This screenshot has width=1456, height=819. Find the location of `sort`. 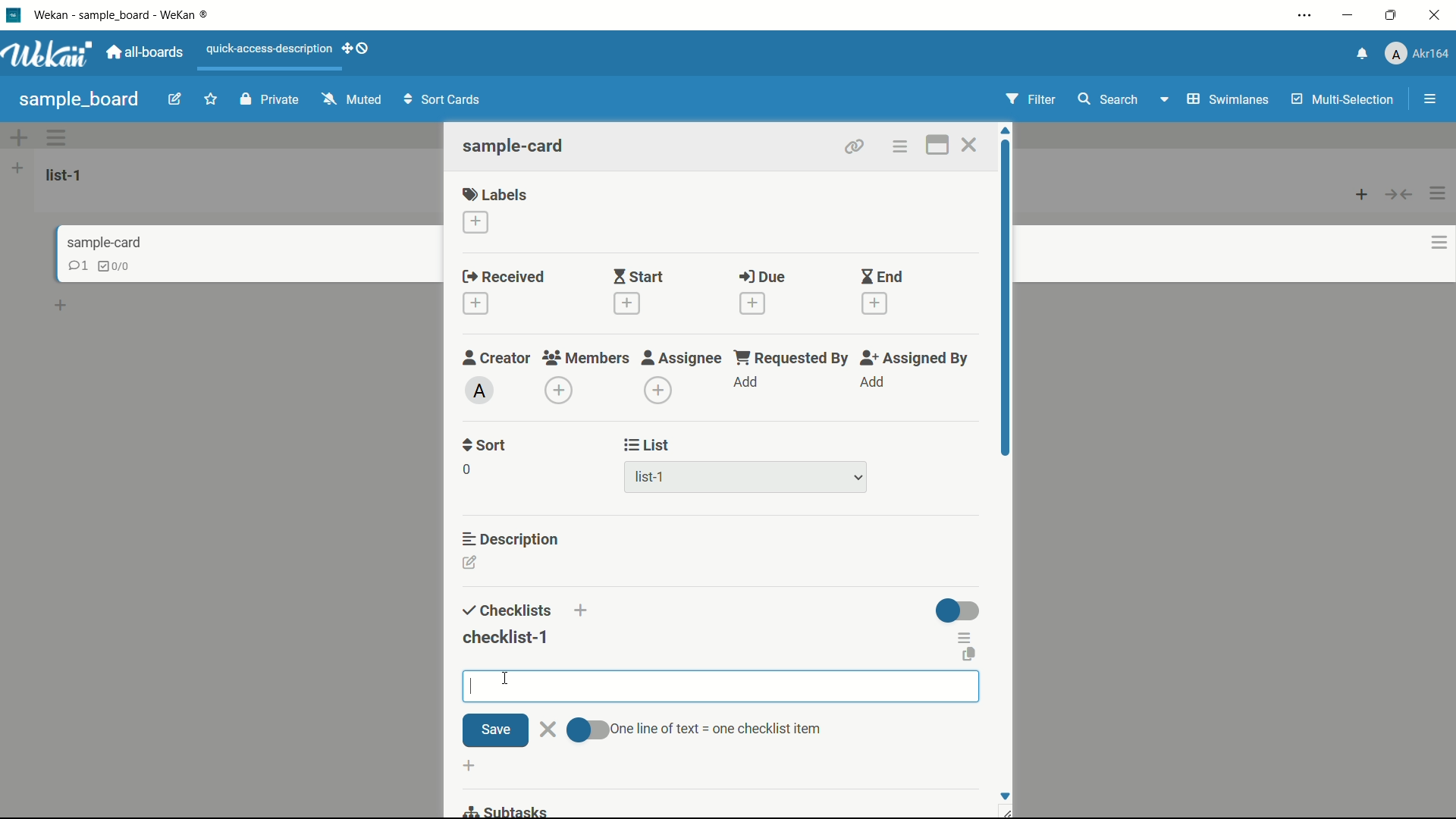

sort is located at coordinates (485, 447).